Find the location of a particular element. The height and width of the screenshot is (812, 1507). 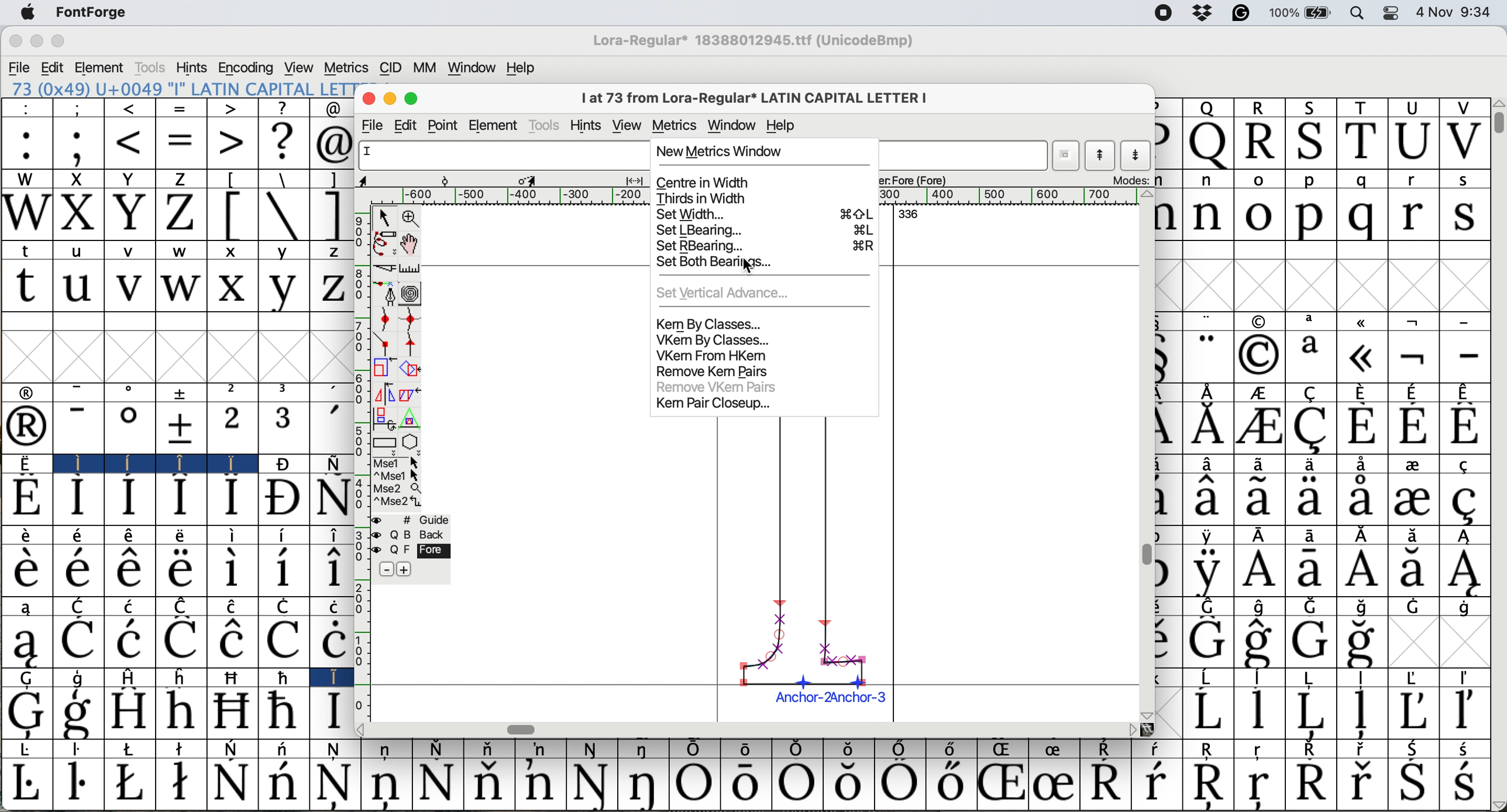

Symbol is located at coordinates (1315, 535).